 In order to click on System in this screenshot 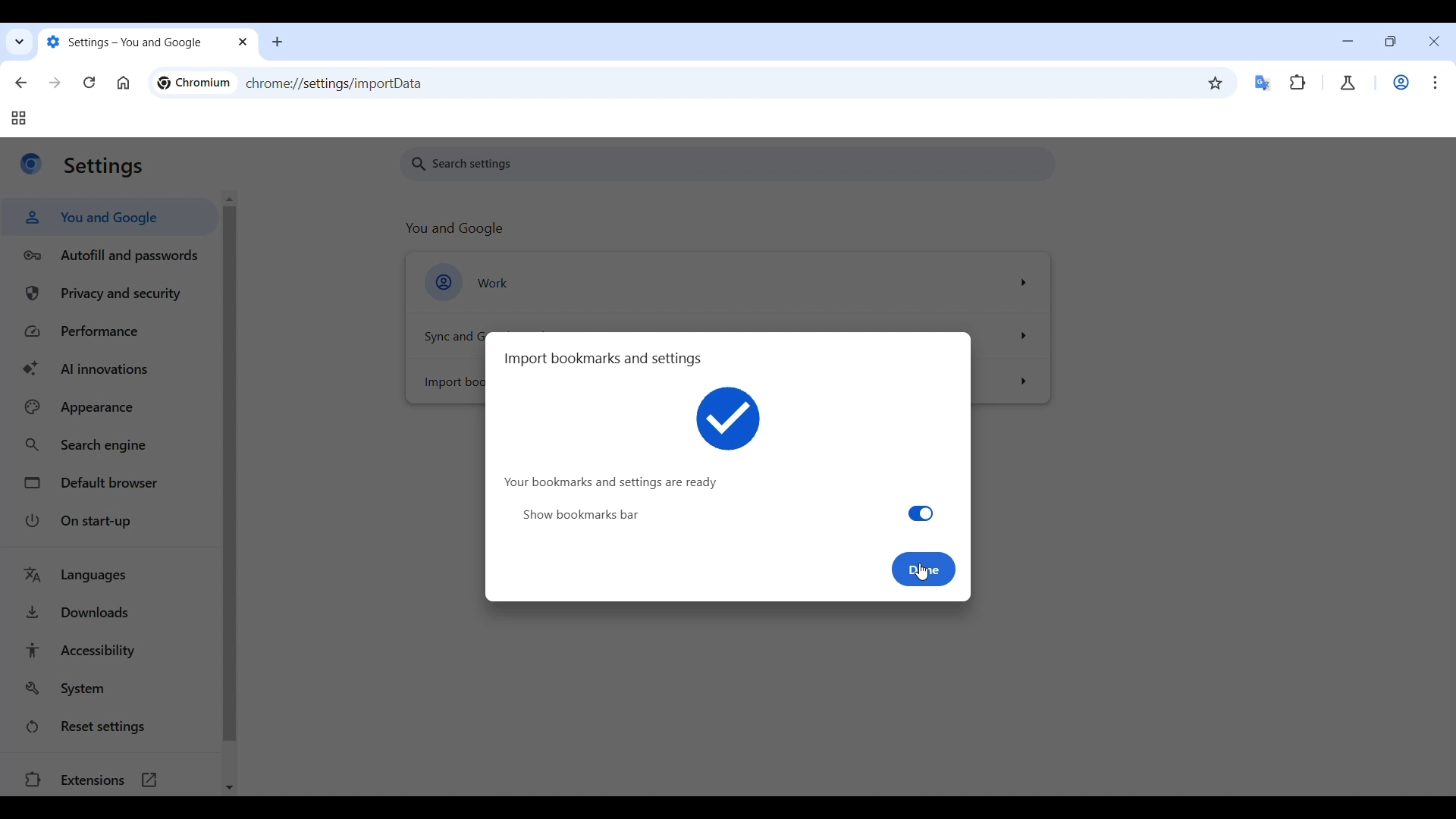, I will do `click(110, 688)`.